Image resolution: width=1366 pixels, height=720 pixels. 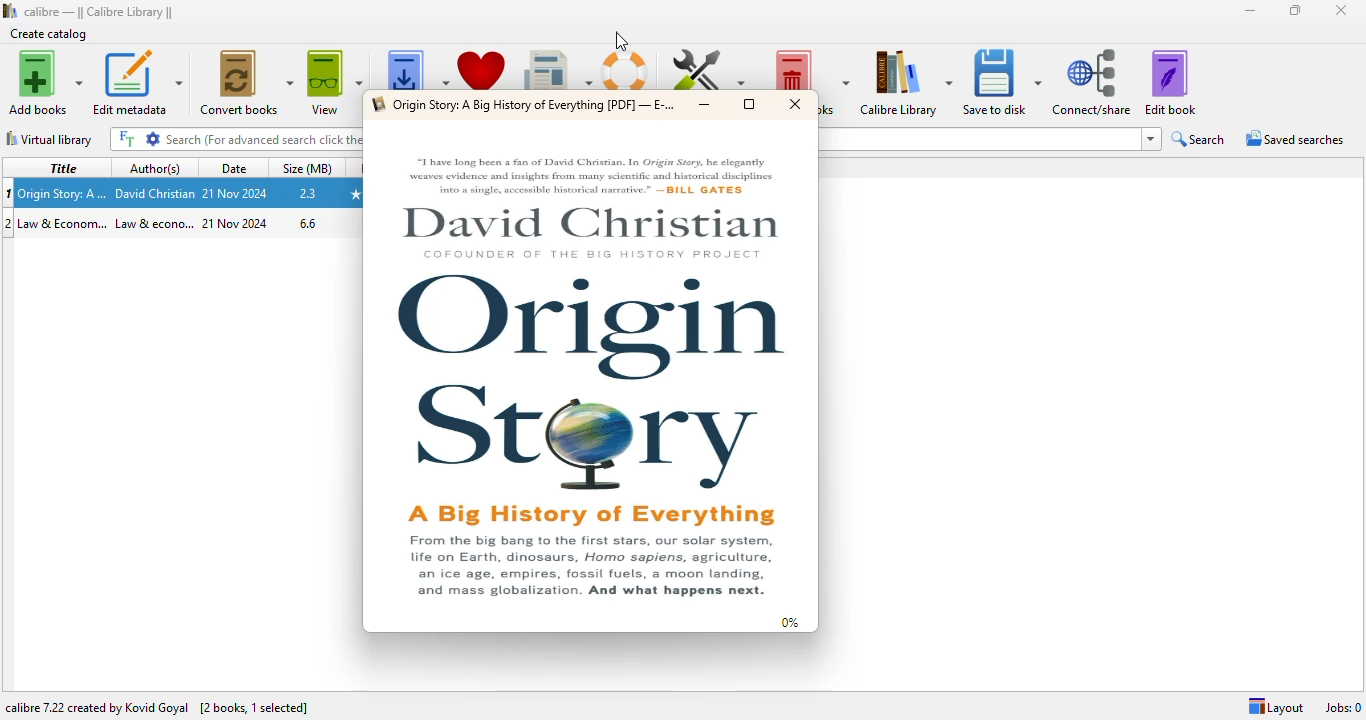 What do you see at coordinates (594, 173) in the screenshot?
I see `text` at bounding box center [594, 173].